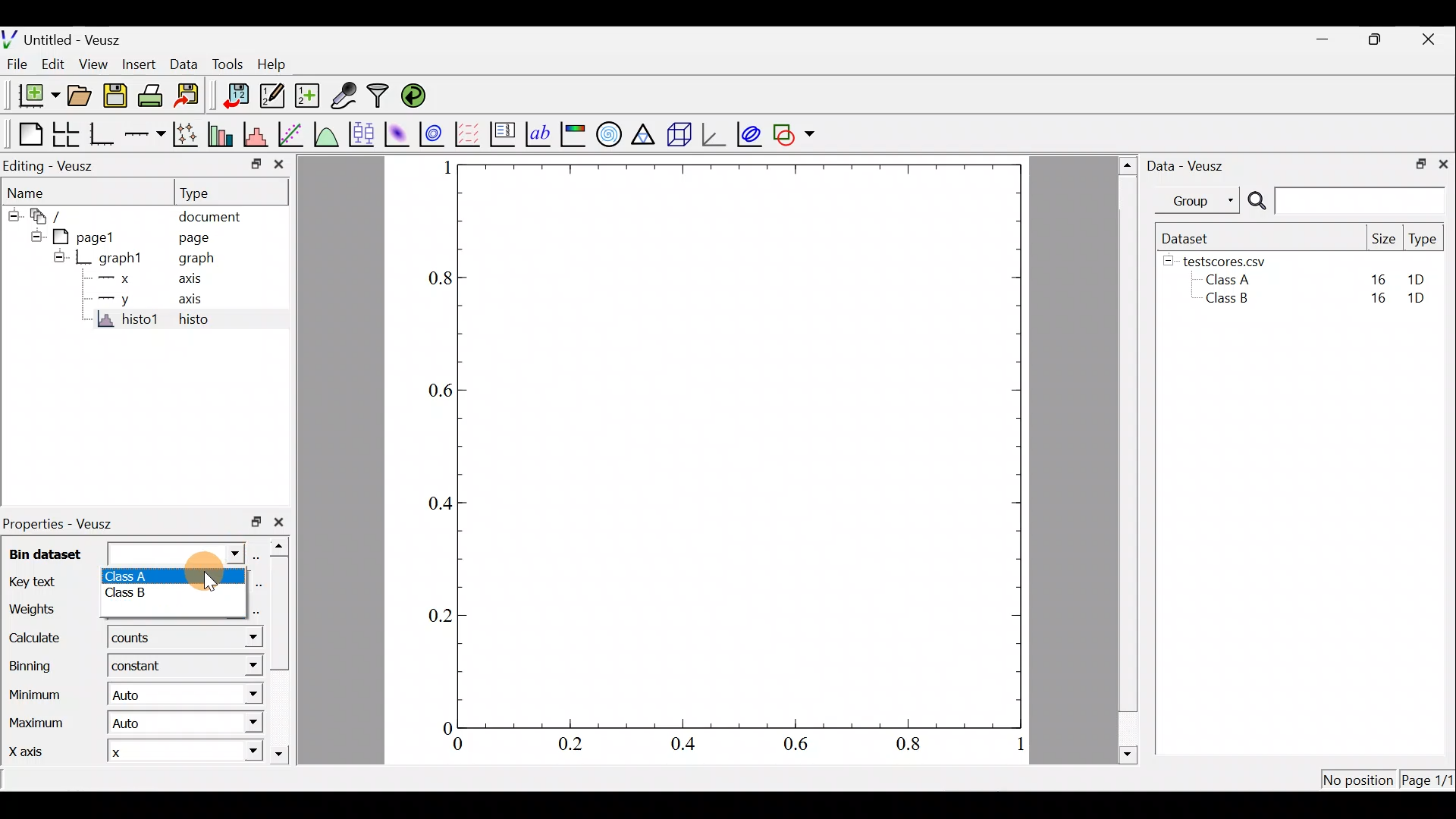 This screenshot has width=1456, height=819. I want to click on Plot covariance ellipses, so click(749, 133).